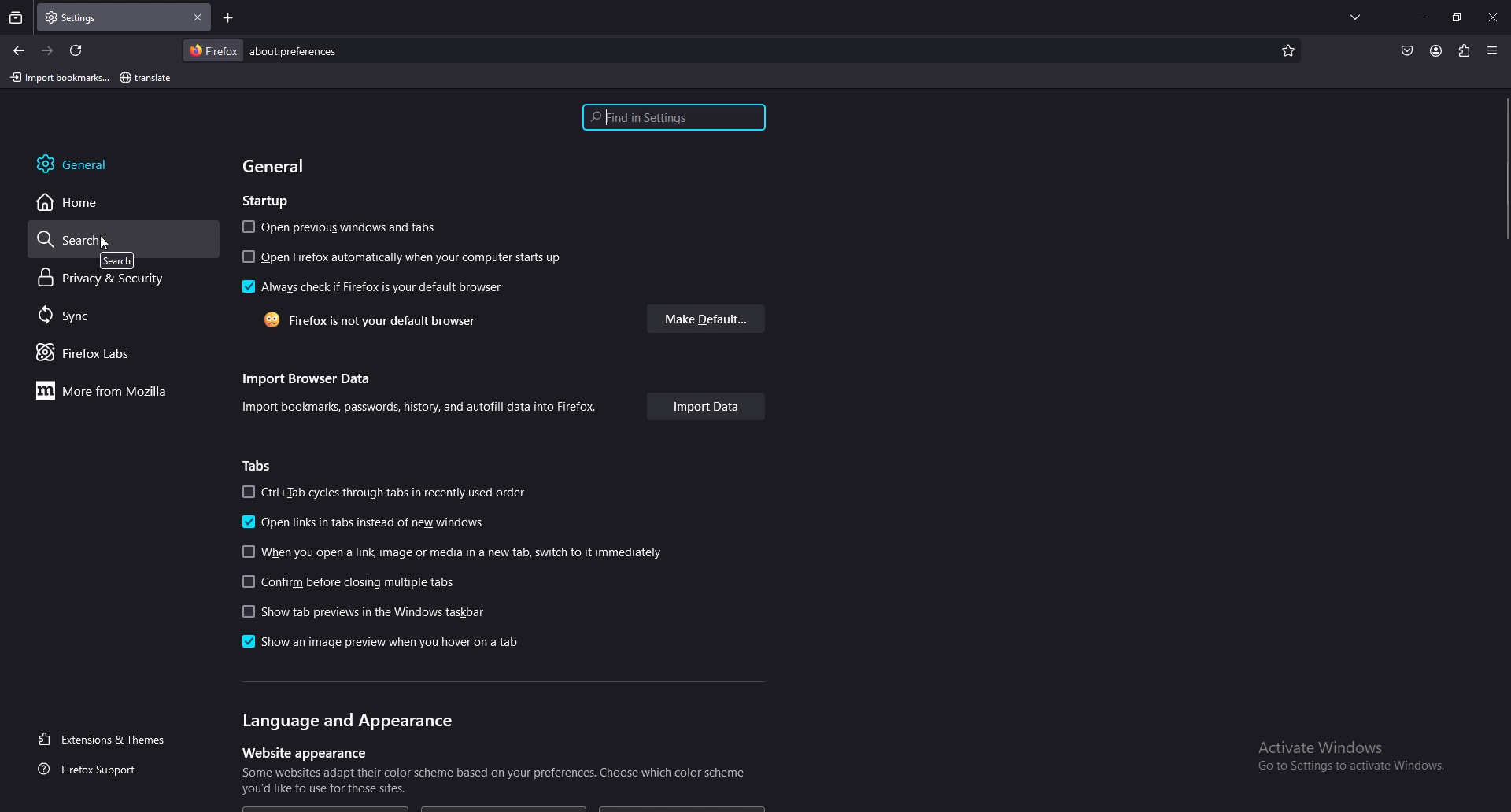 This screenshot has width=1511, height=812. I want to click on tab, so click(104, 18).